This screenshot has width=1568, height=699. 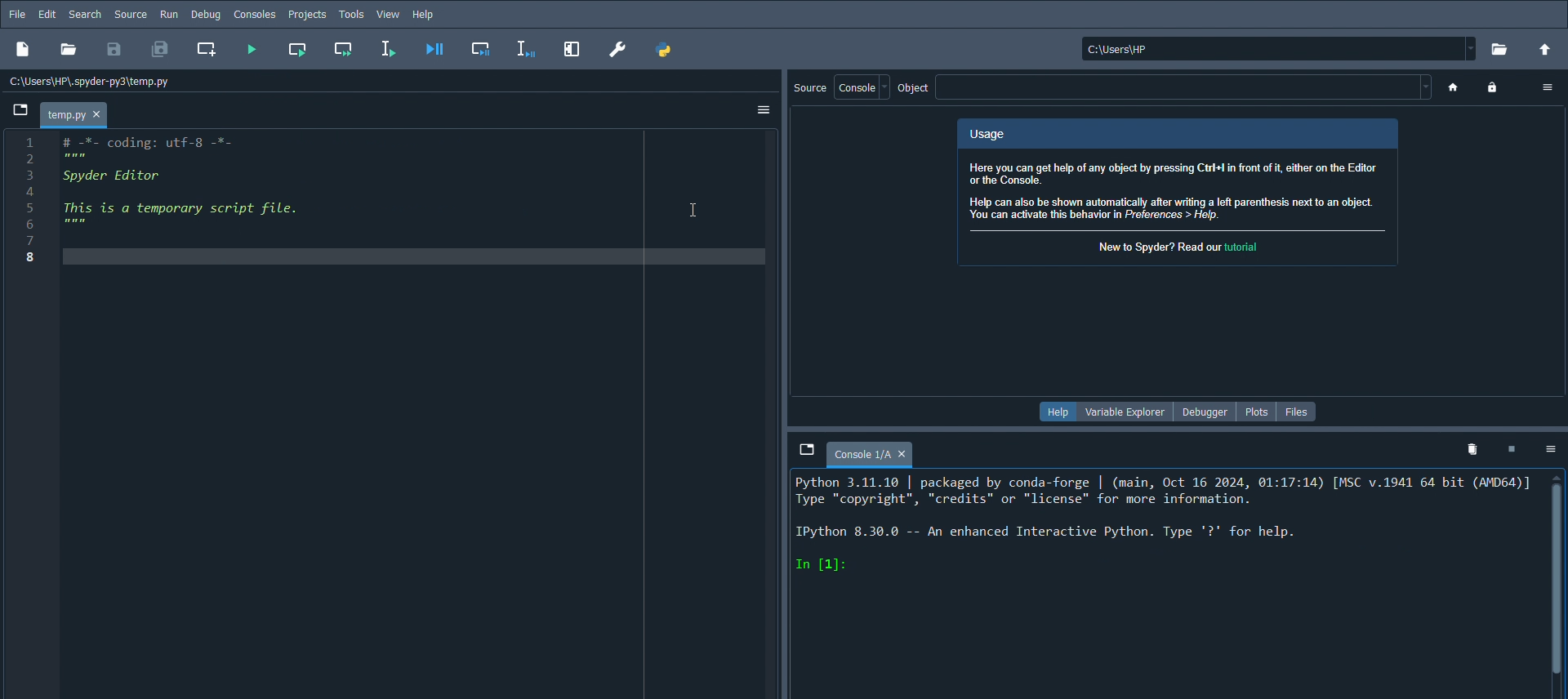 I want to click on Run , so click(x=168, y=14).